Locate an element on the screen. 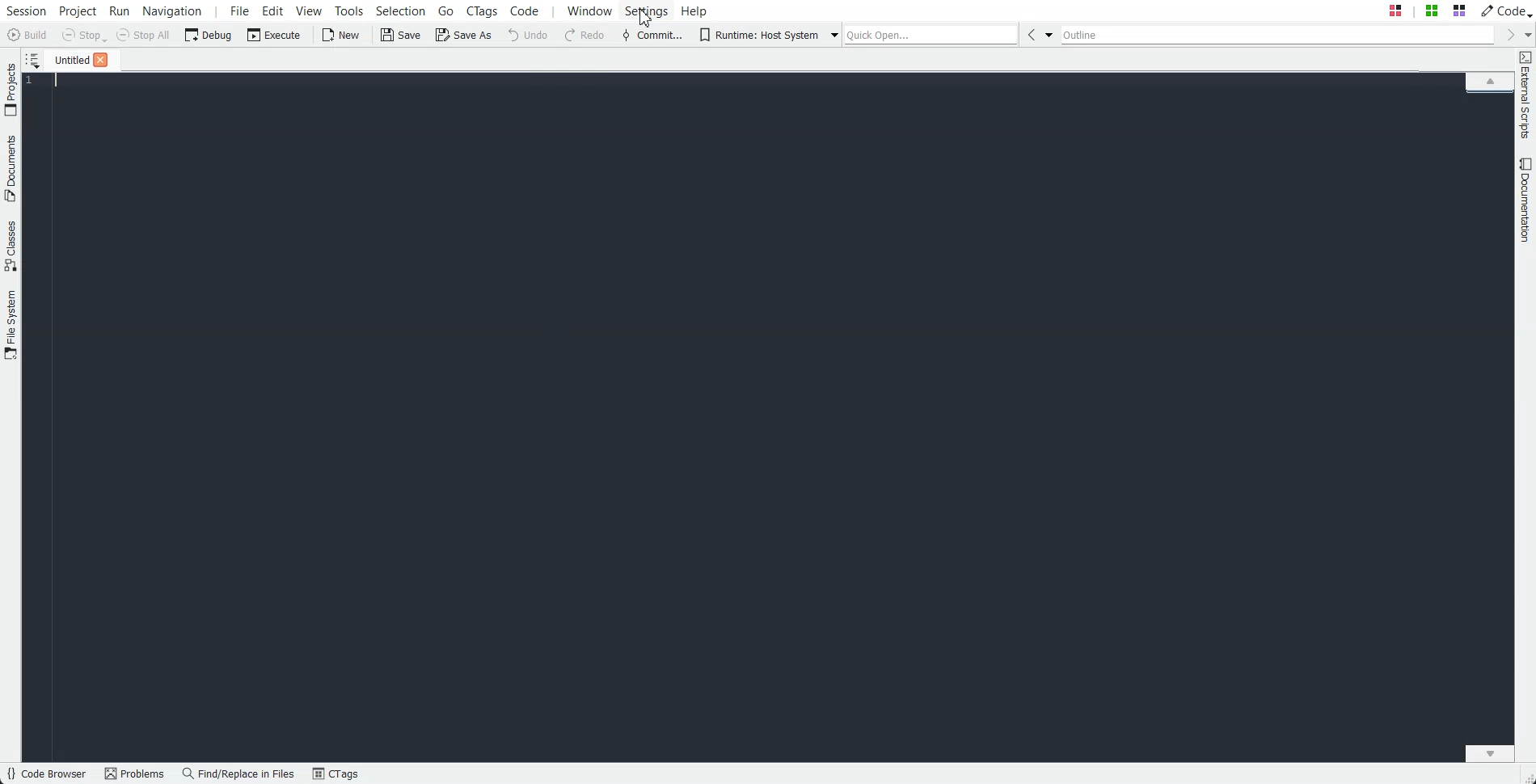 The image size is (1536, 784). Quick Open is located at coordinates (931, 34).